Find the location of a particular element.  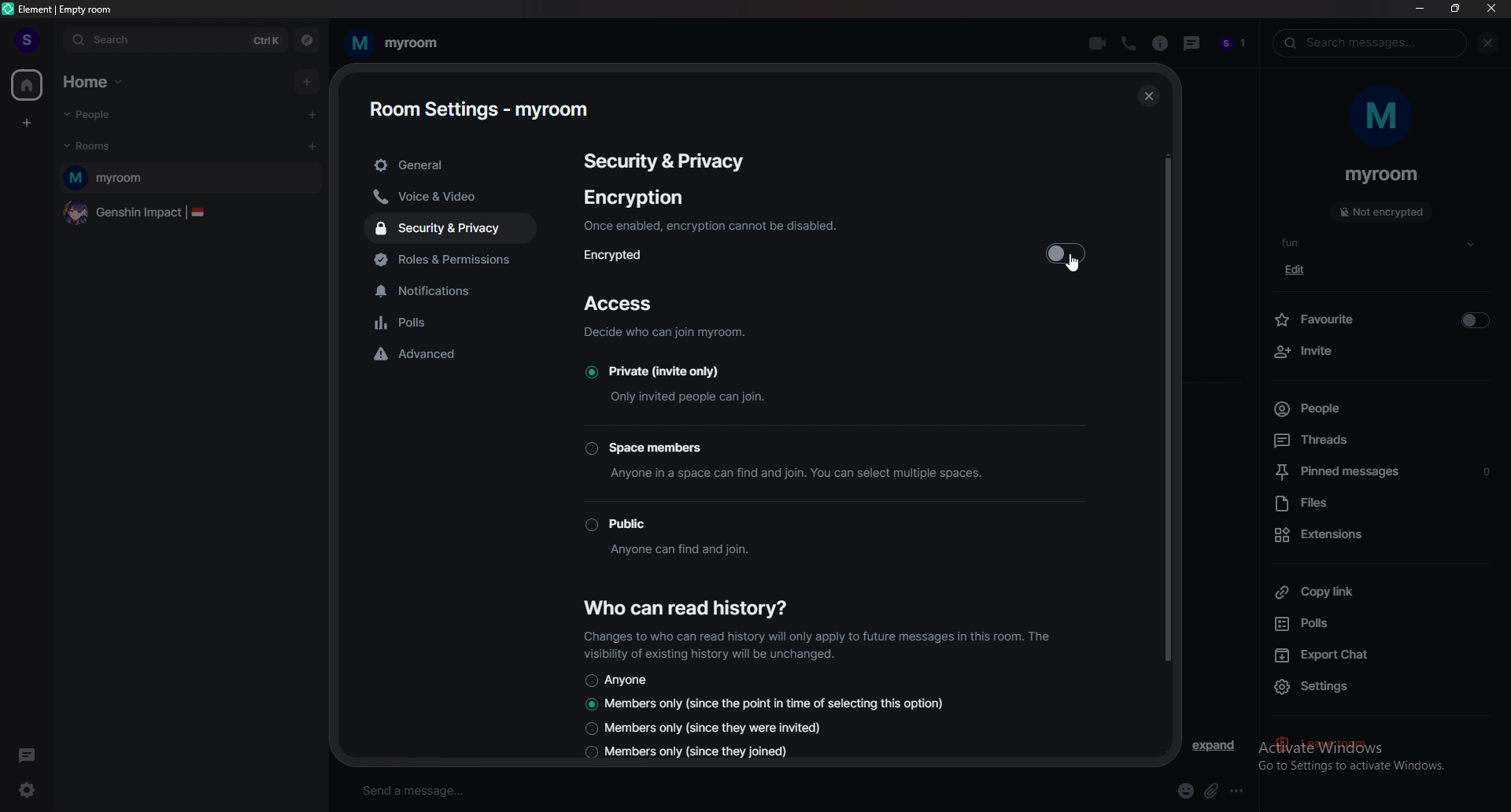

encrypted is located at coordinates (623, 254).